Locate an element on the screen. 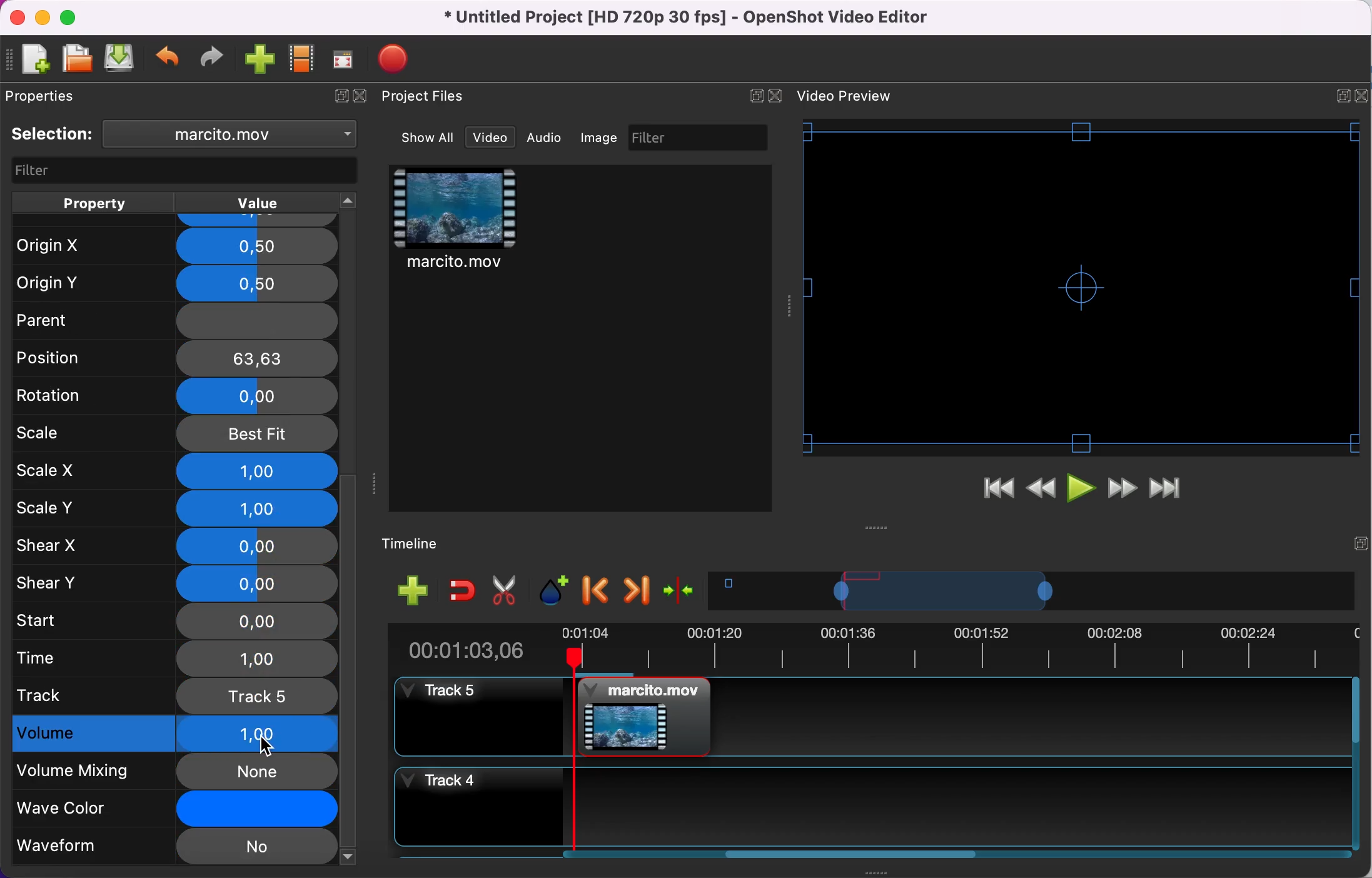 Image resolution: width=1372 pixels, height=878 pixels. video is located at coordinates (456, 221).